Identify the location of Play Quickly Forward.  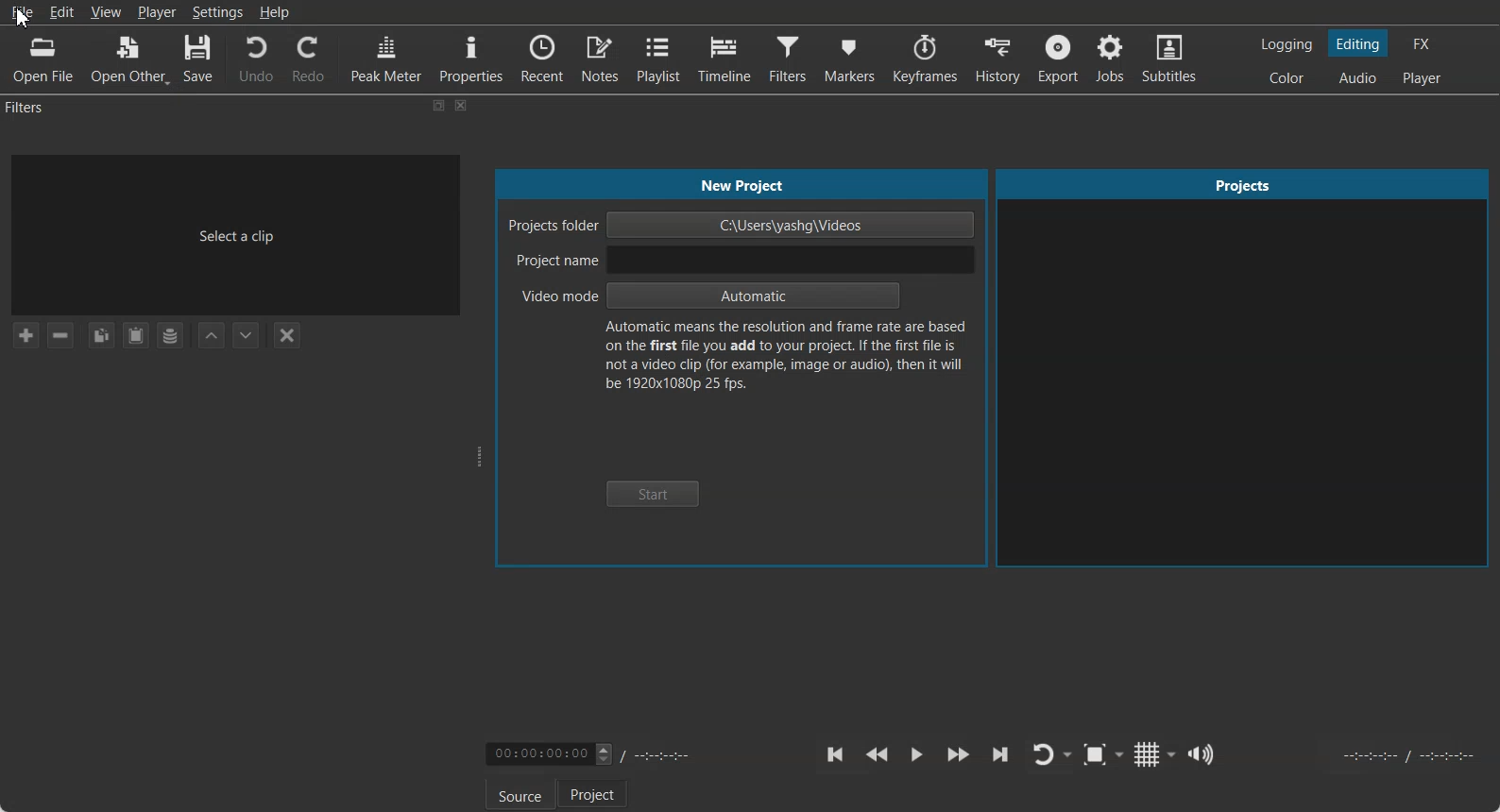
(959, 754).